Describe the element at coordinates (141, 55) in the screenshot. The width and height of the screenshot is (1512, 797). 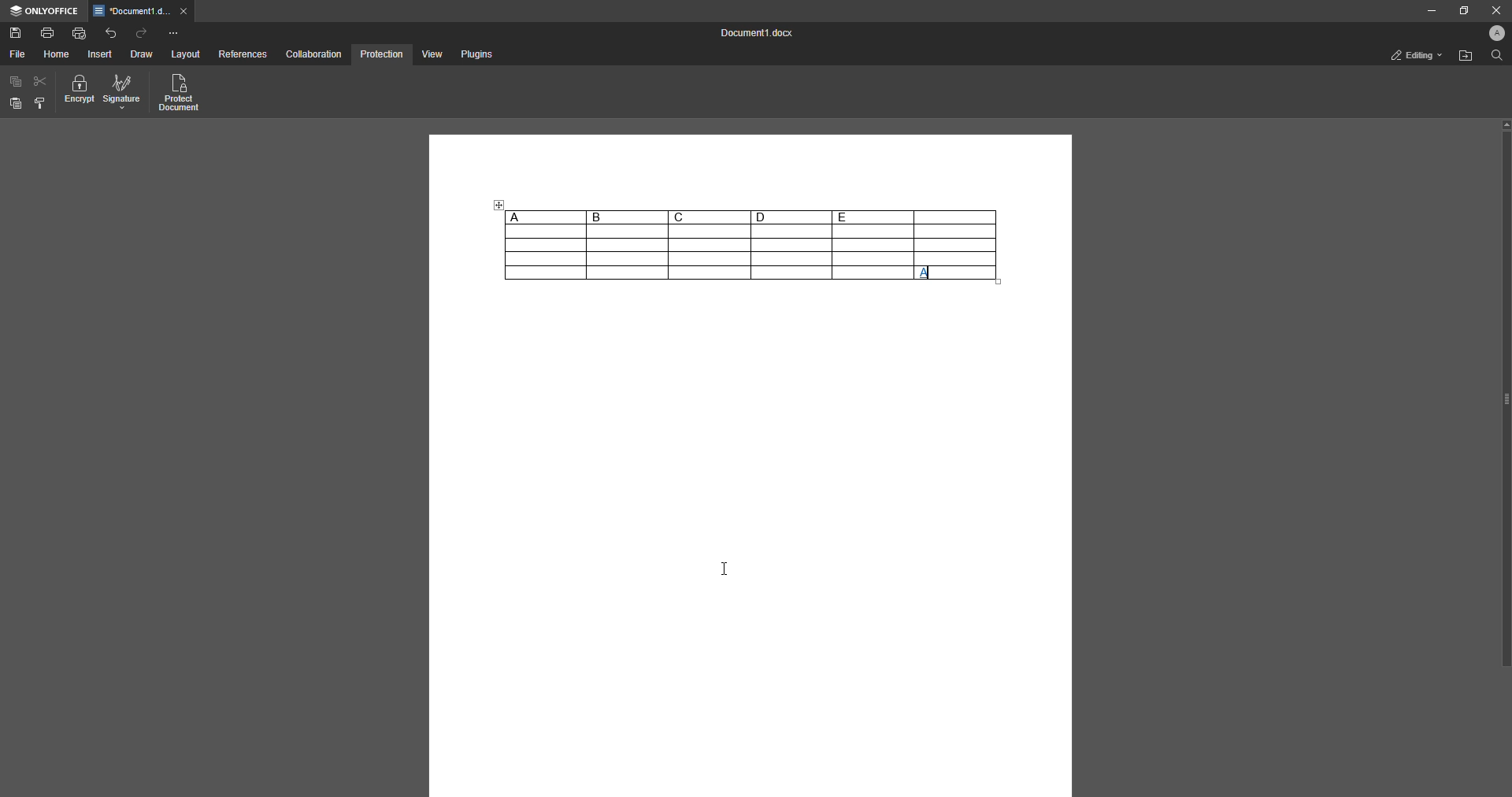
I see `Draw` at that location.